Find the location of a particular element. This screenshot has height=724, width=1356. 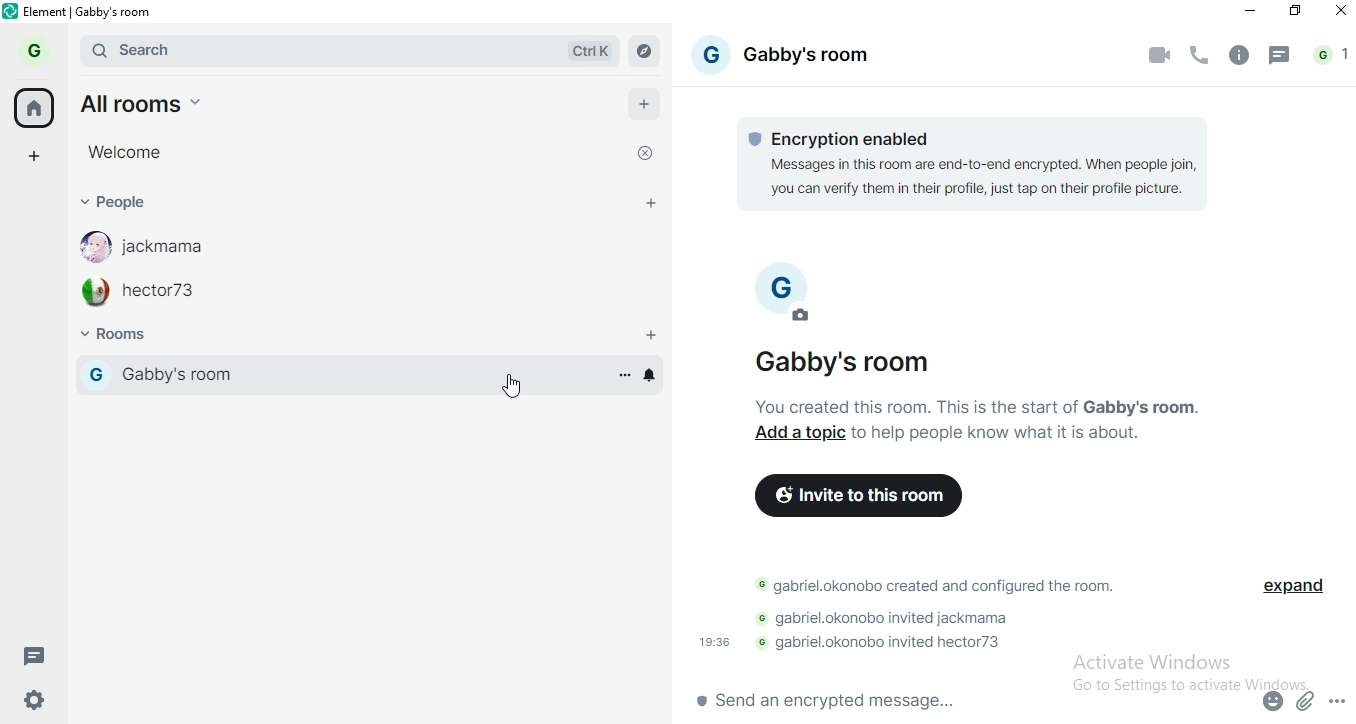

voice call is located at coordinates (1198, 52).